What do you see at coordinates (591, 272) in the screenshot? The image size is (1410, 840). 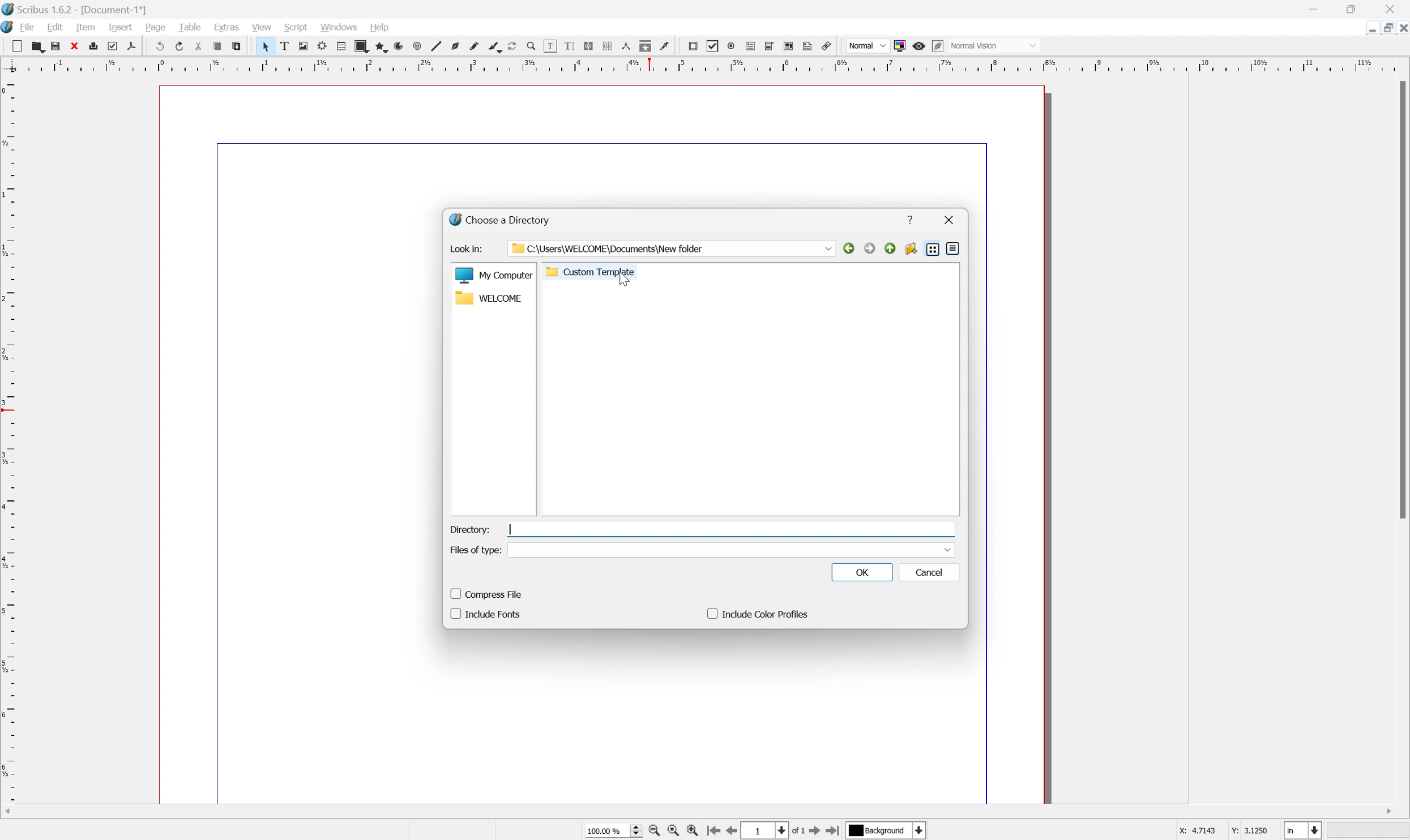 I see `custom template` at bounding box center [591, 272].